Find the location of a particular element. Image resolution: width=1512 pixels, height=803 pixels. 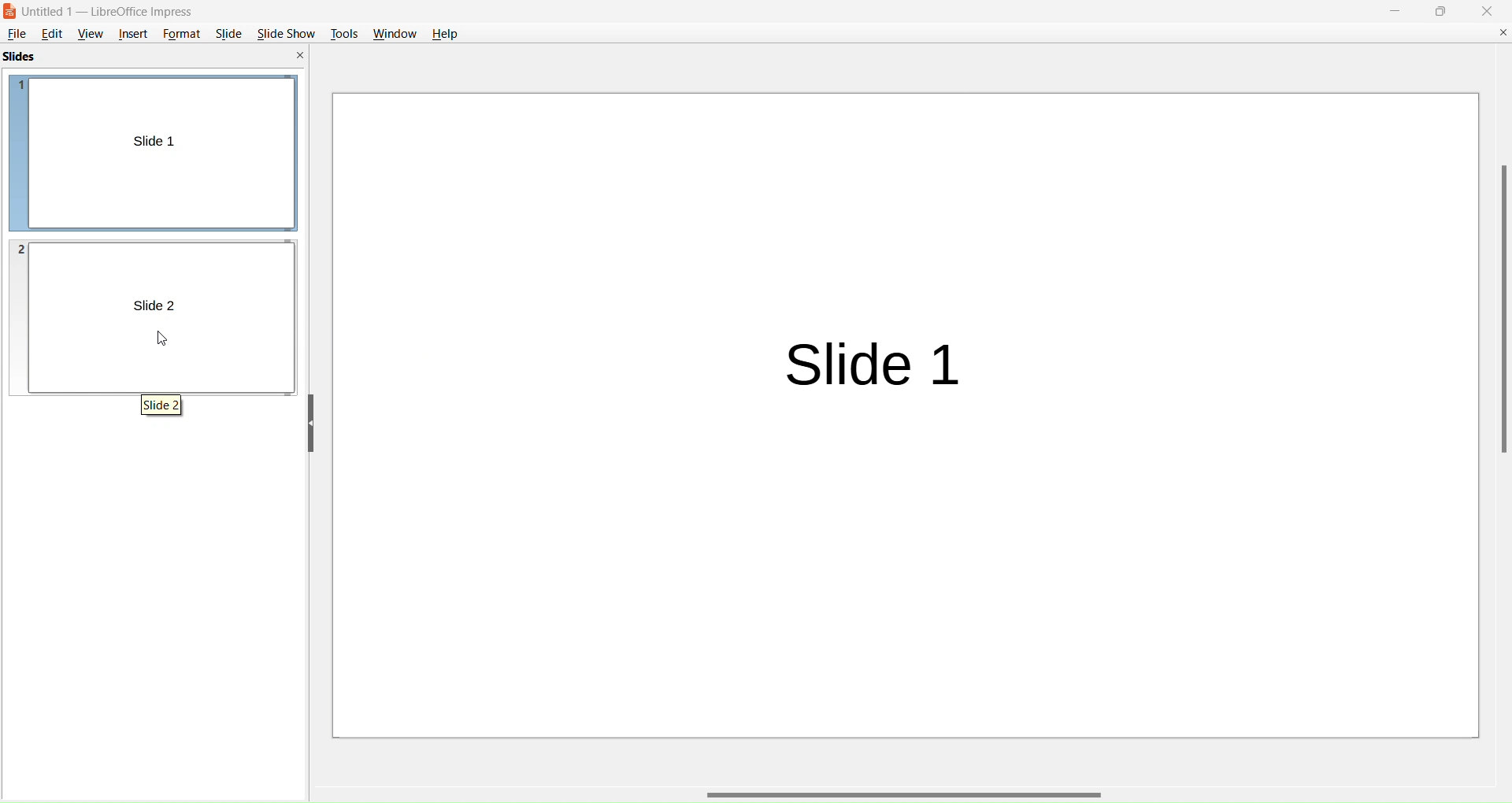

file is located at coordinates (18, 33).